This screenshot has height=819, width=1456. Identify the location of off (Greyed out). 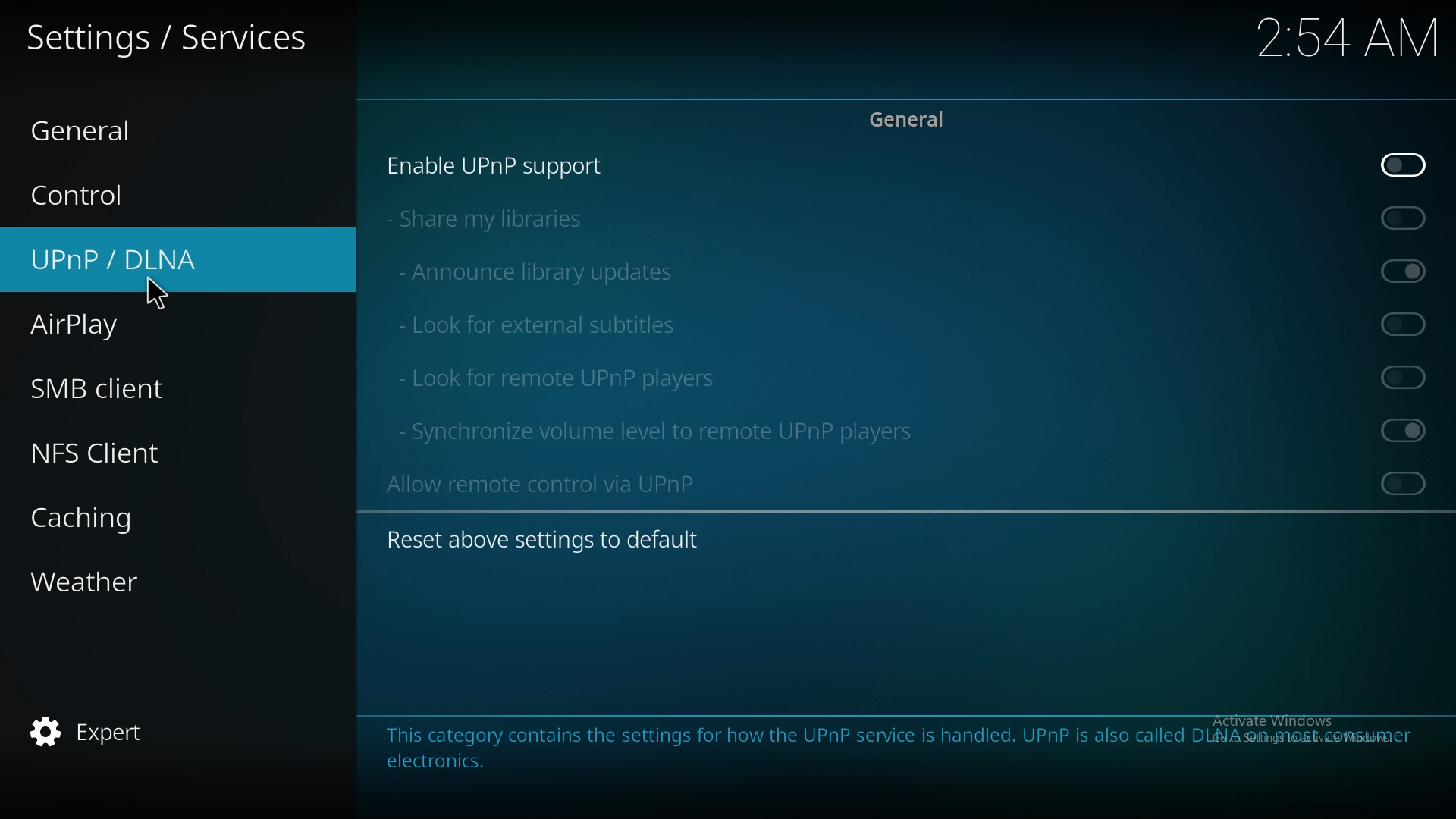
(1404, 324).